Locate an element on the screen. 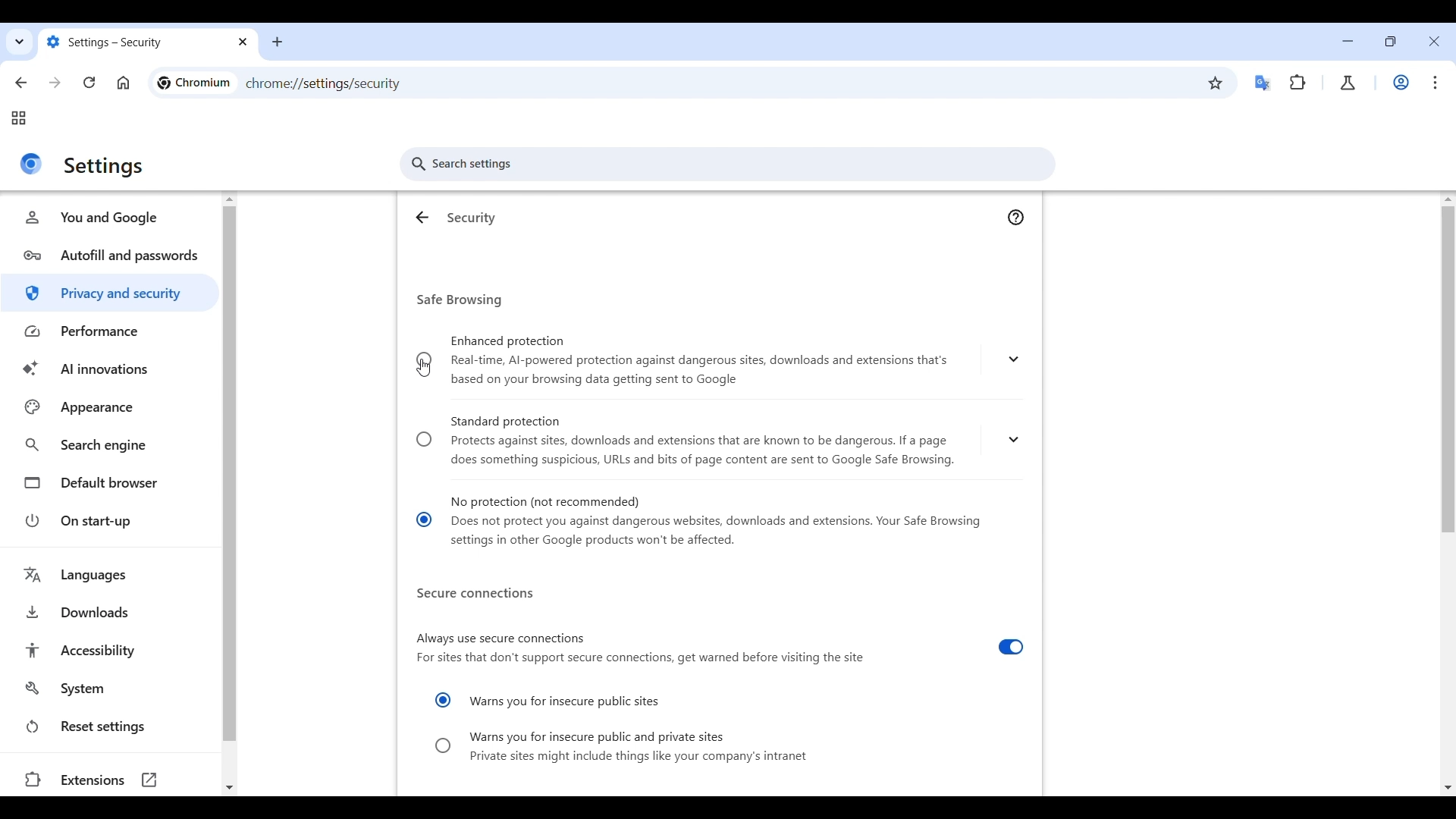 The height and width of the screenshot is (819, 1456). Languages is located at coordinates (113, 575).